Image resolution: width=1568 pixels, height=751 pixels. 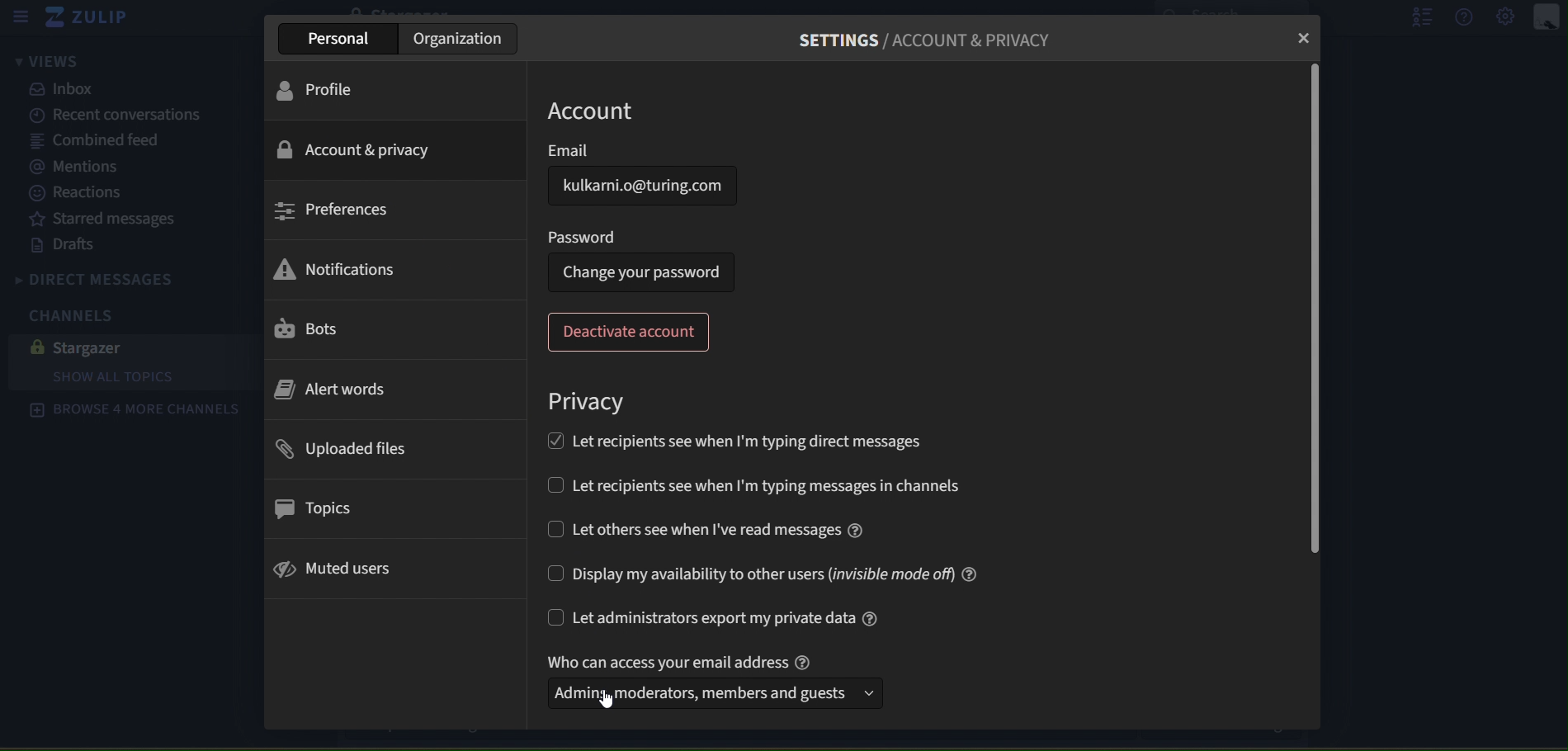 I want to click on personal menu, so click(x=1547, y=17).